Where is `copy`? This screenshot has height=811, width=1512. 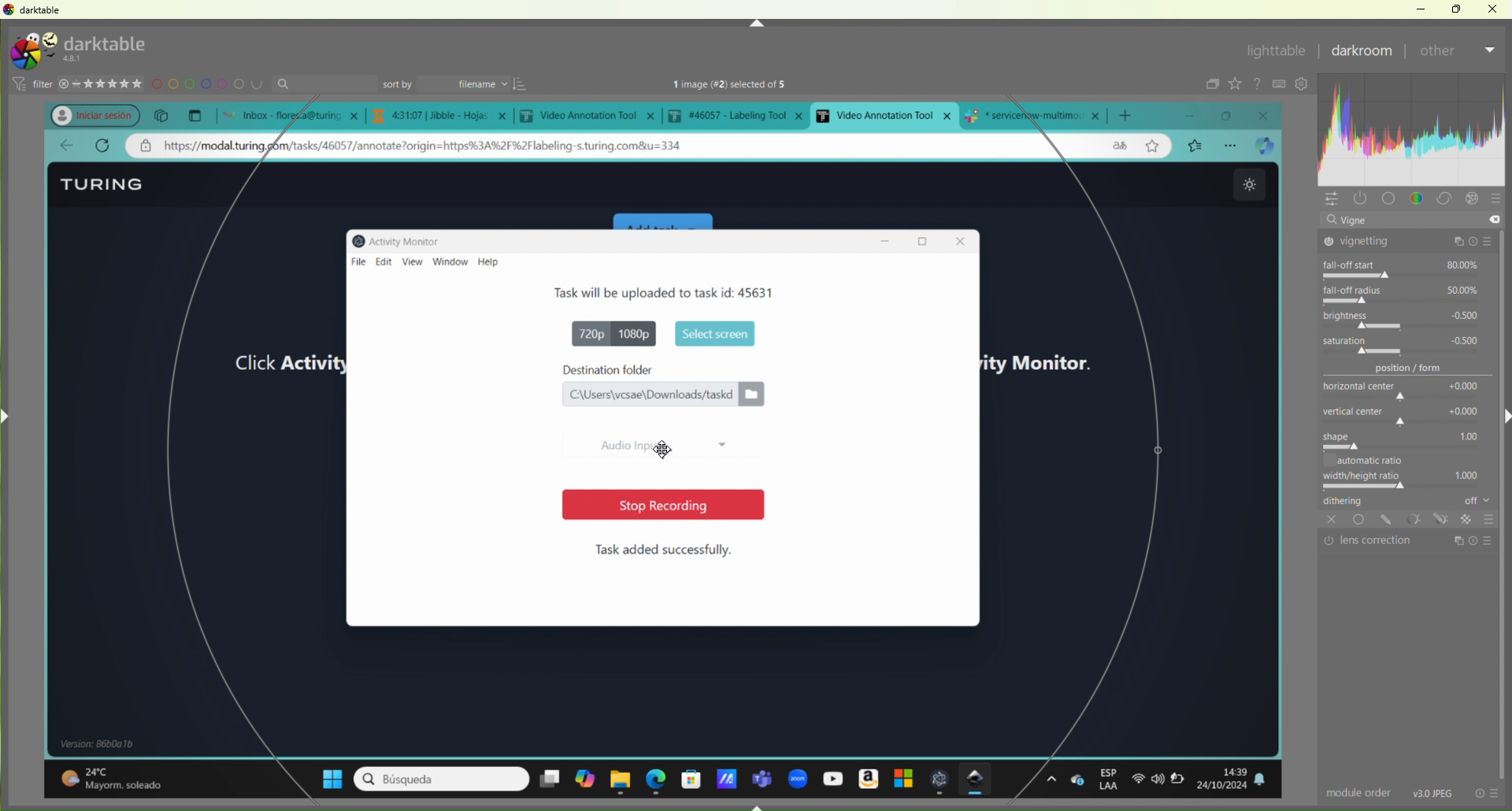
copy is located at coordinates (162, 115).